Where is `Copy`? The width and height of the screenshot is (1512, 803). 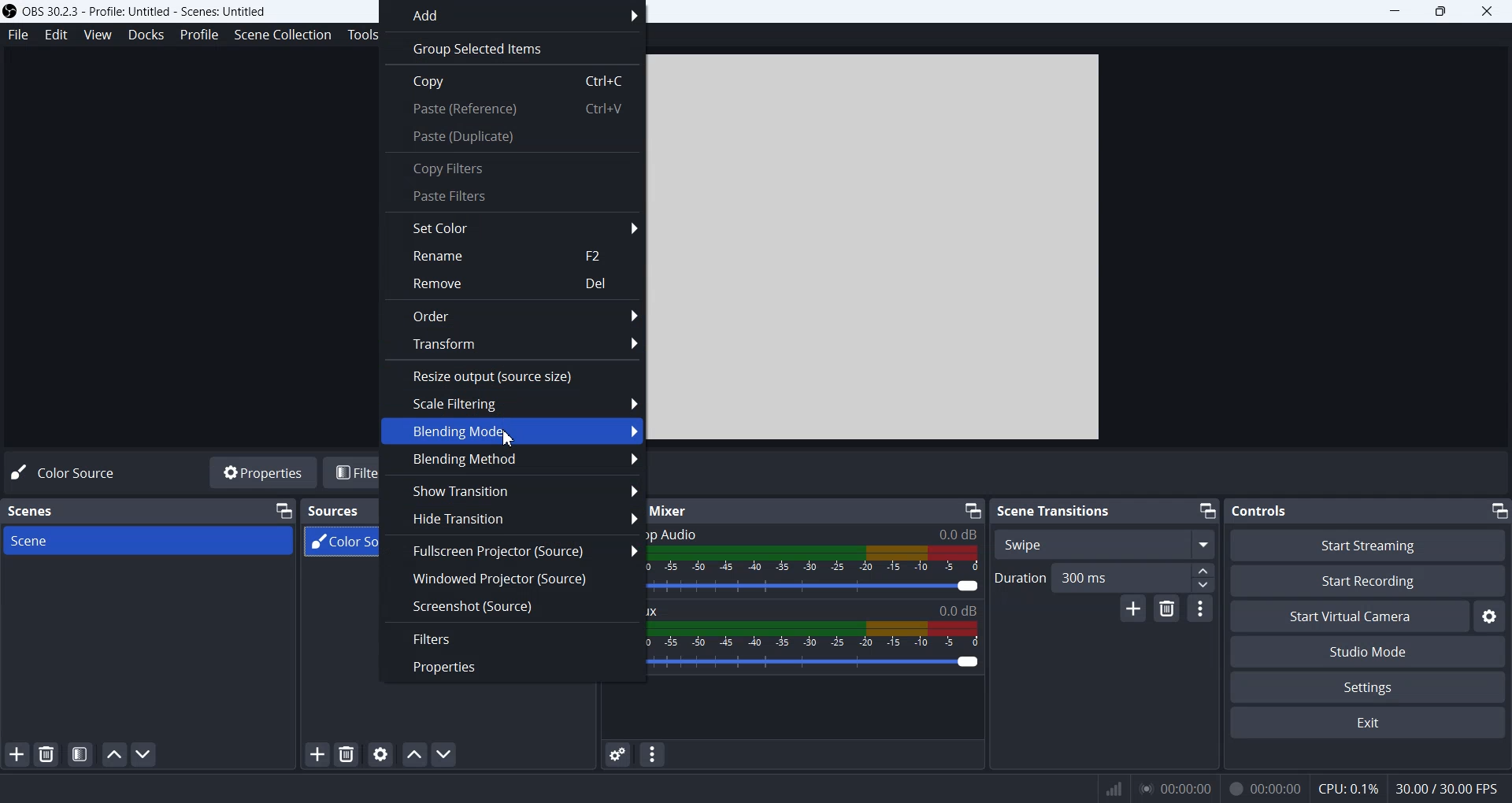
Copy is located at coordinates (513, 80).